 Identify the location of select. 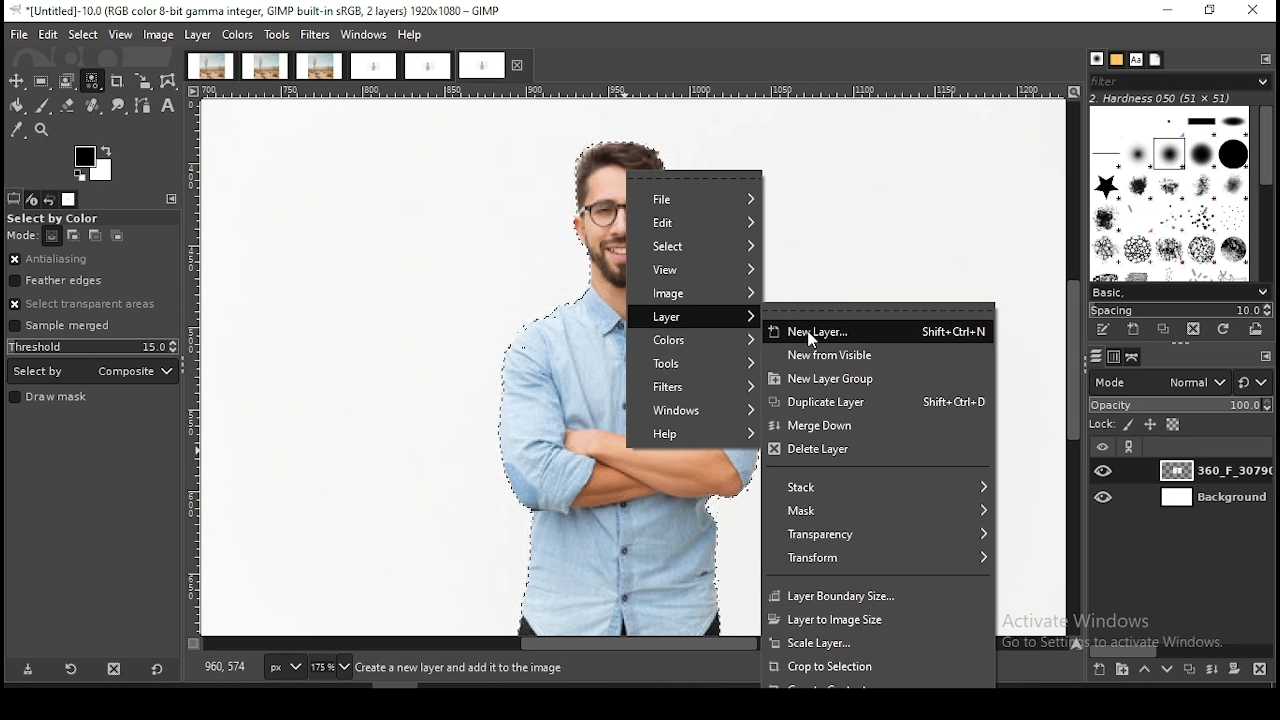
(693, 249).